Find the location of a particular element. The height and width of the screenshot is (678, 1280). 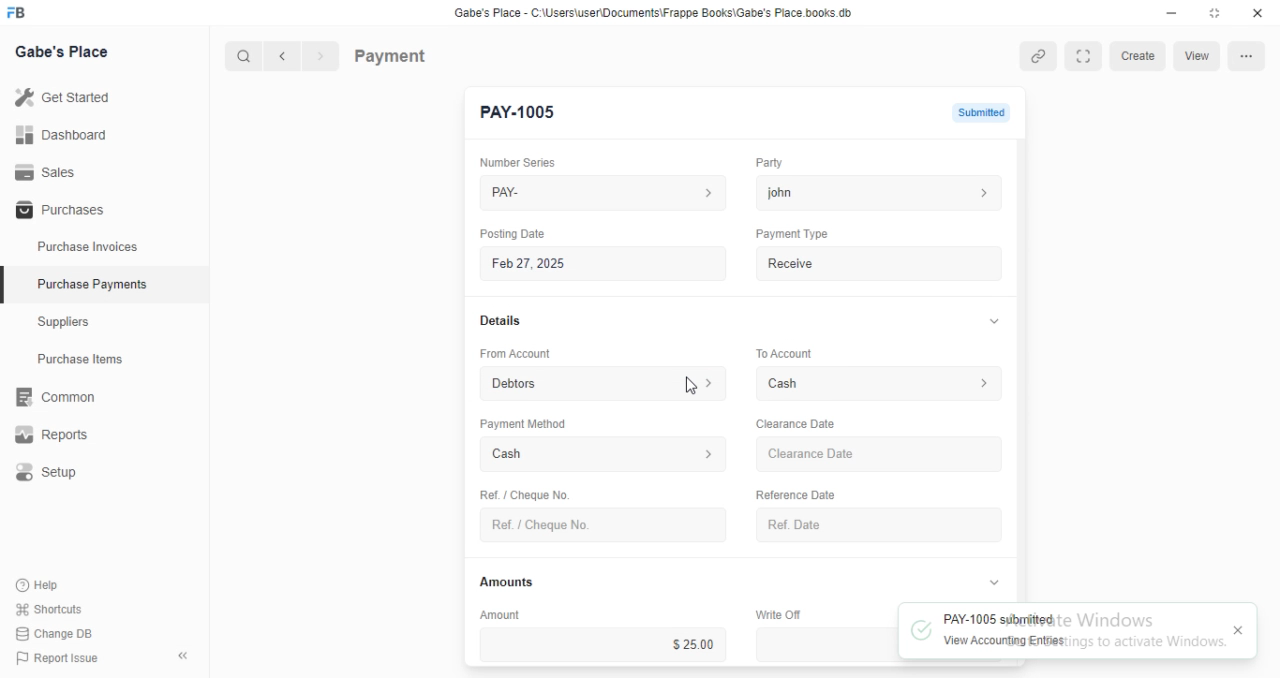

close is located at coordinates (1258, 13).